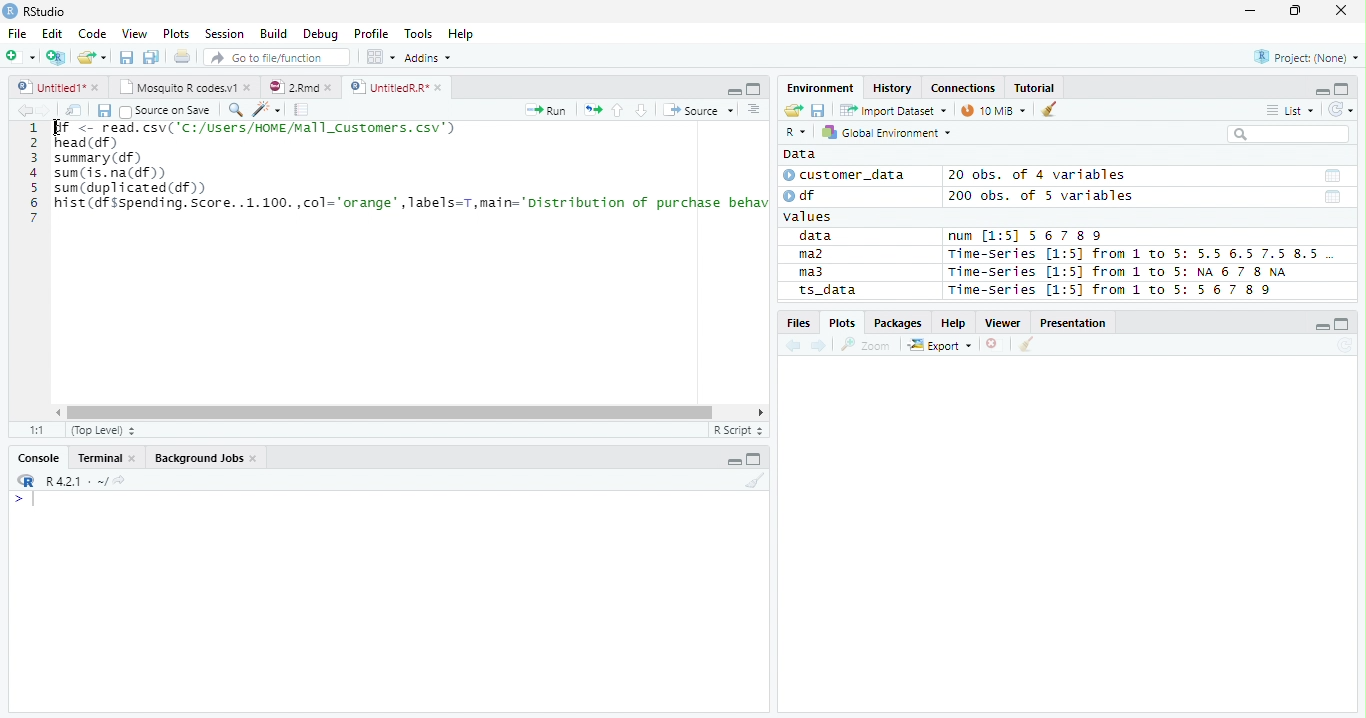  What do you see at coordinates (94, 34) in the screenshot?
I see `Code` at bounding box center [94, 34].